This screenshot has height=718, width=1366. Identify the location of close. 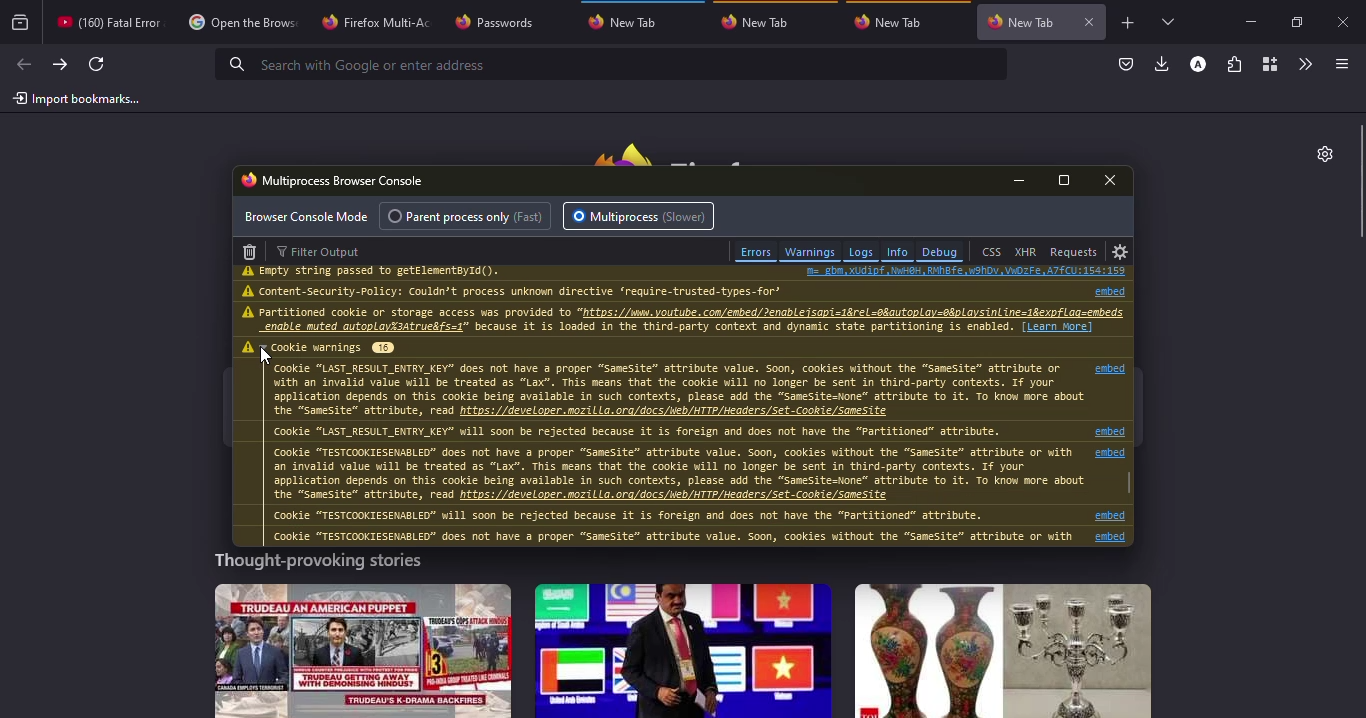
(1114, 180).